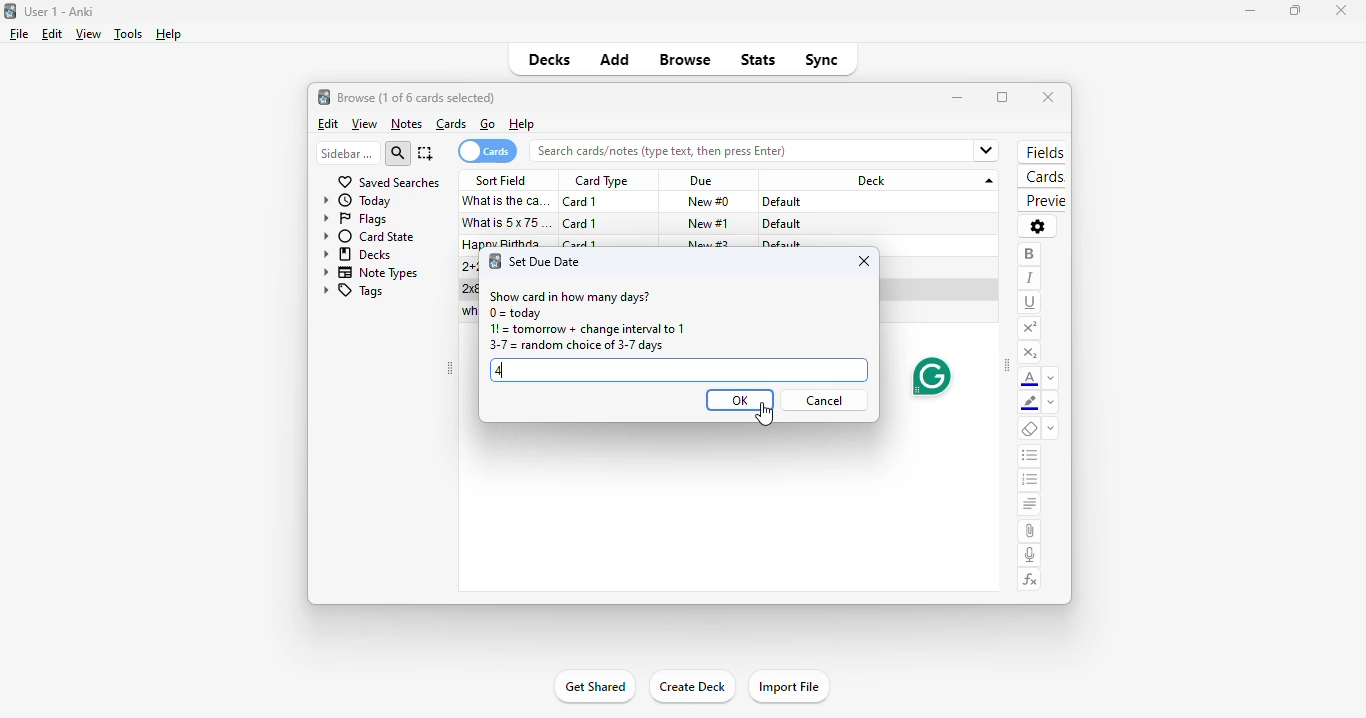 Image resolution: width=1366 pixels, height=718 pixels. What do you see at coordinates (1030, 404) in the screenshot?
I see `text highlighting color` at bounding box center [1030, 404].